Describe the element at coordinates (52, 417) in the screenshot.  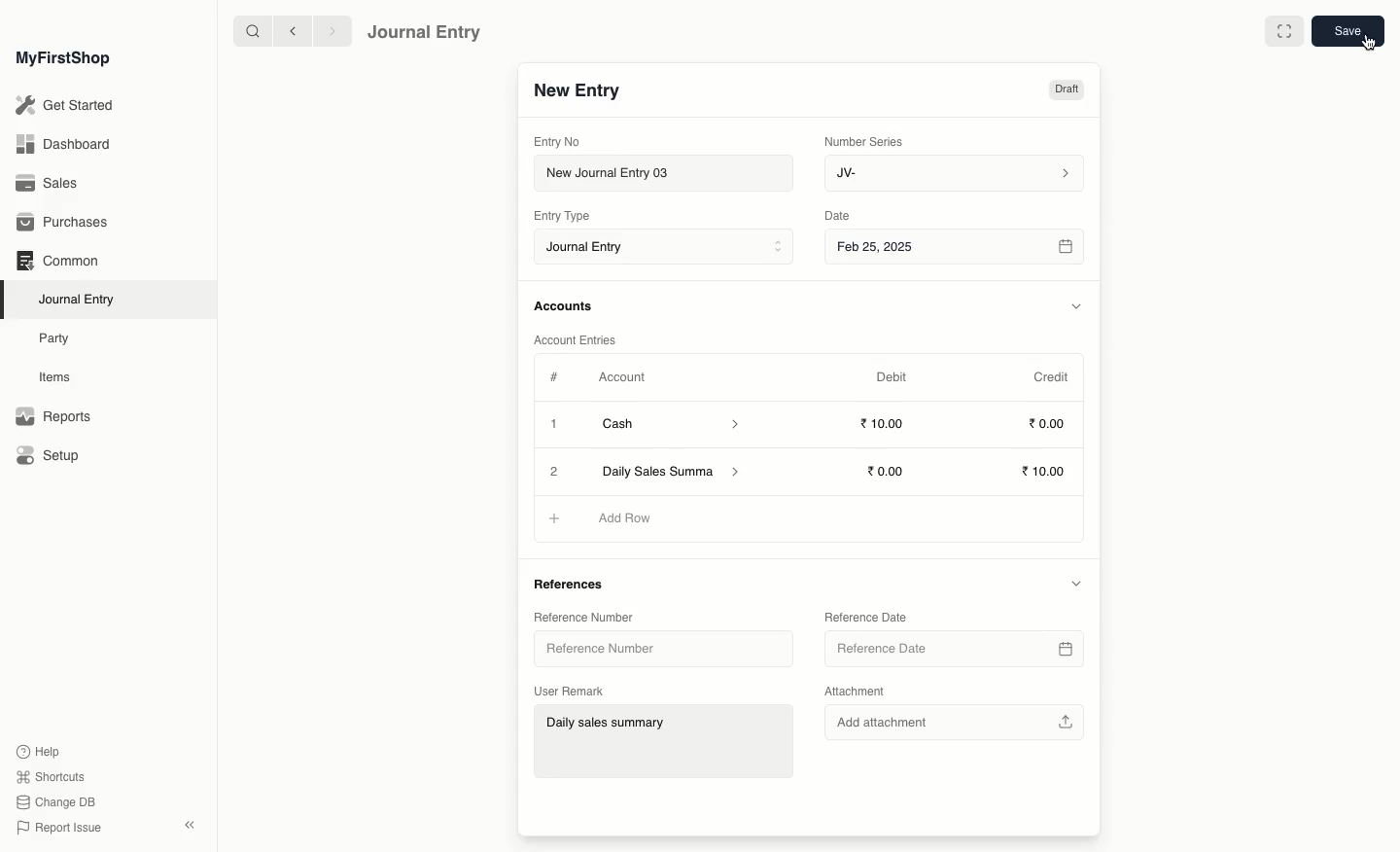
I see `Reports` at that location.